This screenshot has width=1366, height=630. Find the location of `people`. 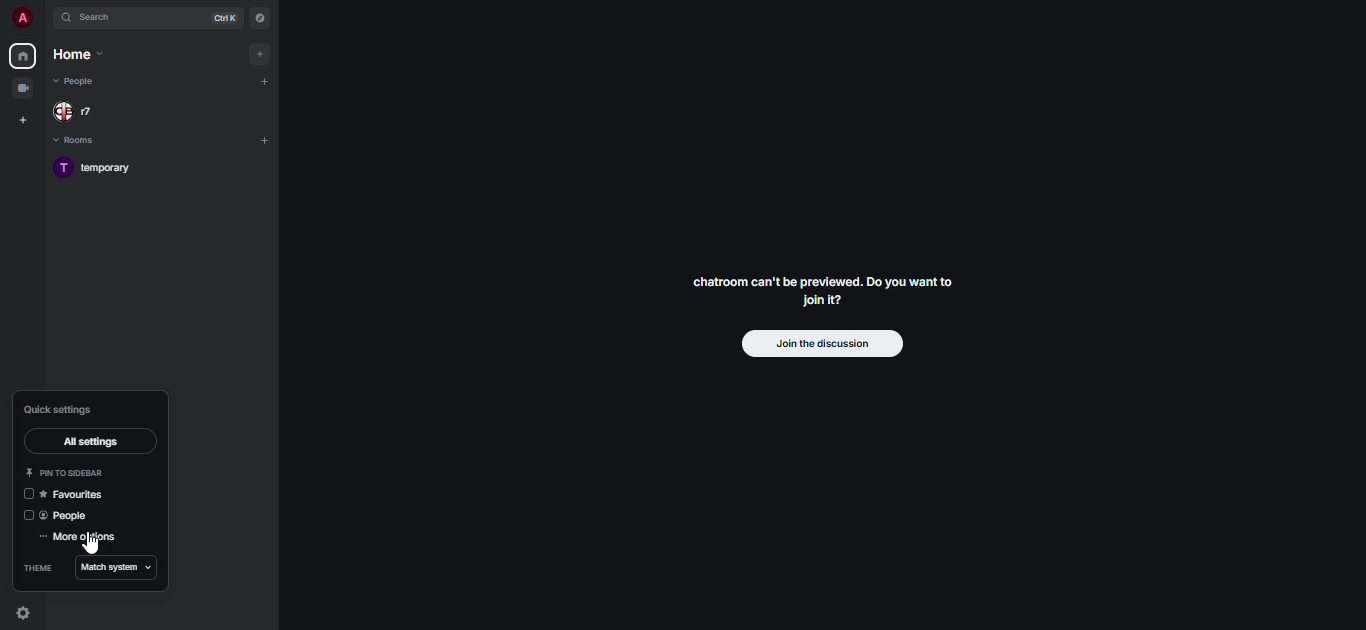

people is located at coordinates (71, 516).